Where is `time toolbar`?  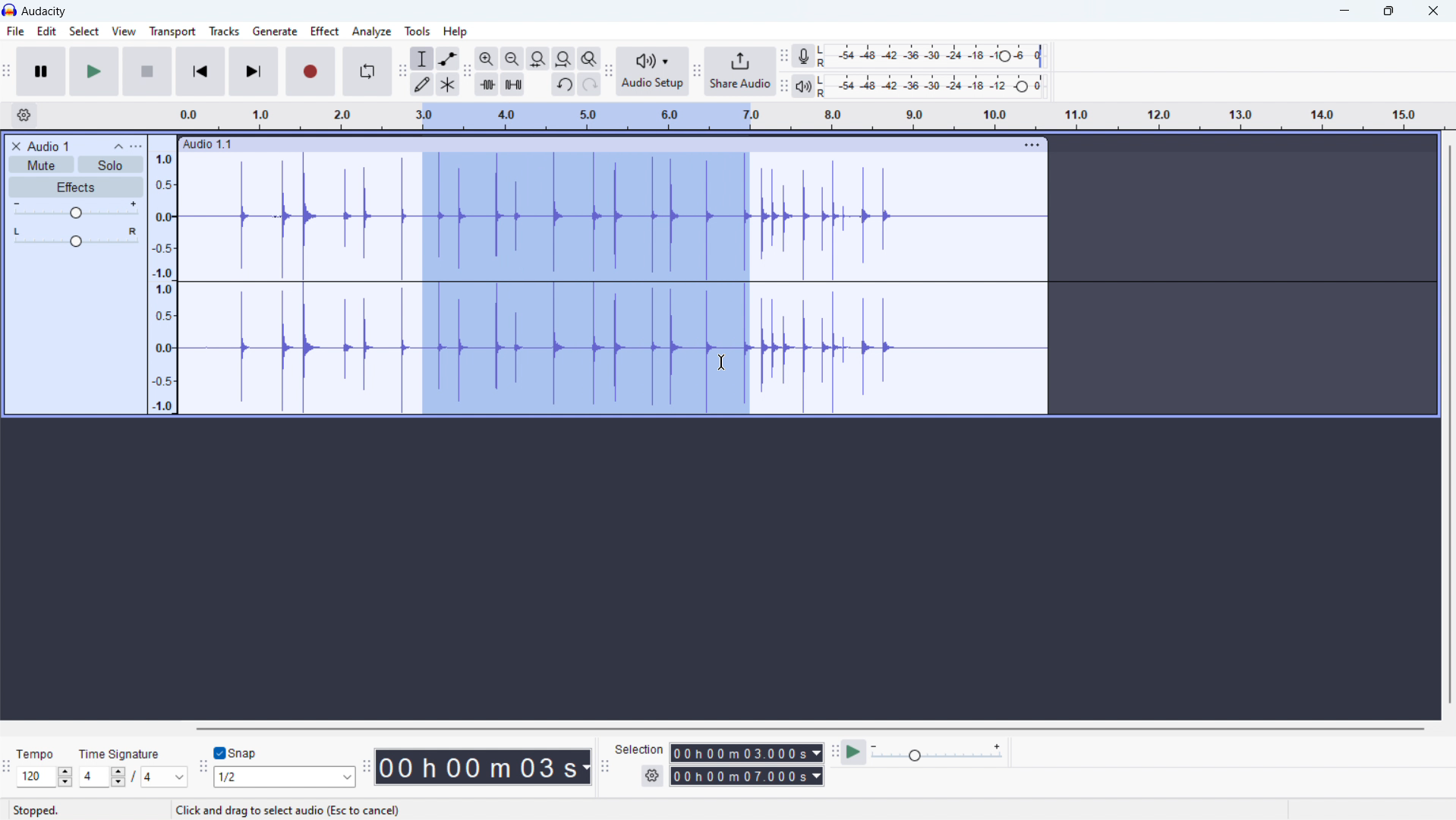
time toolbar is located at coordinates (367, 768).